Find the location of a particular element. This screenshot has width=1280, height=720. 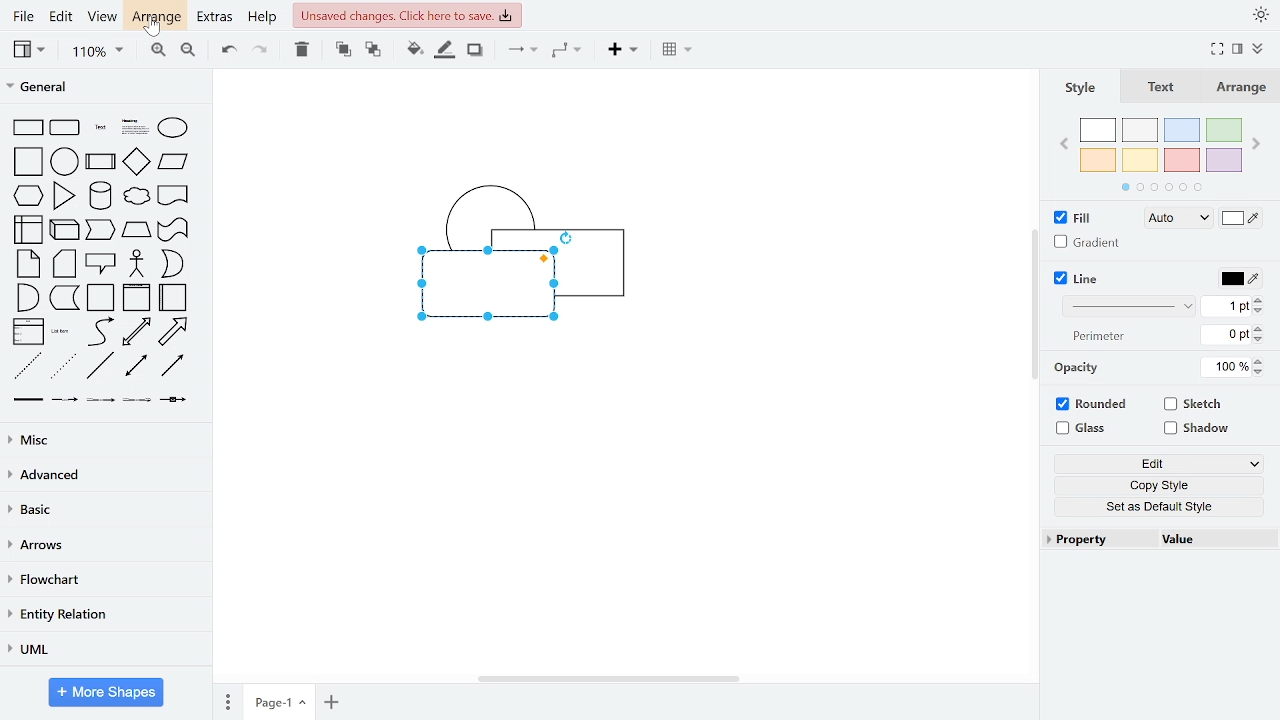

to back is located at coordinates (370, 51).